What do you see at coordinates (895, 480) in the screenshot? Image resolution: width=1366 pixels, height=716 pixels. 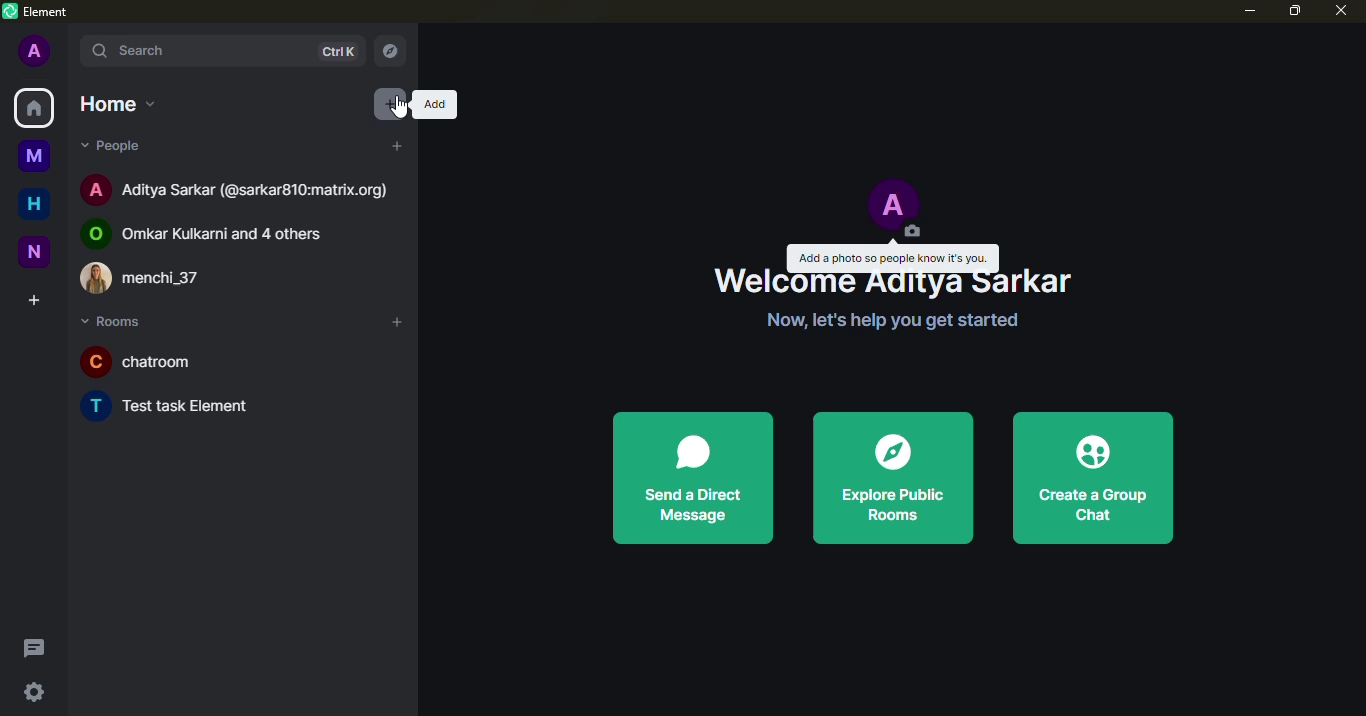 I see `explore public rooms` at bounding box center [895, 480].